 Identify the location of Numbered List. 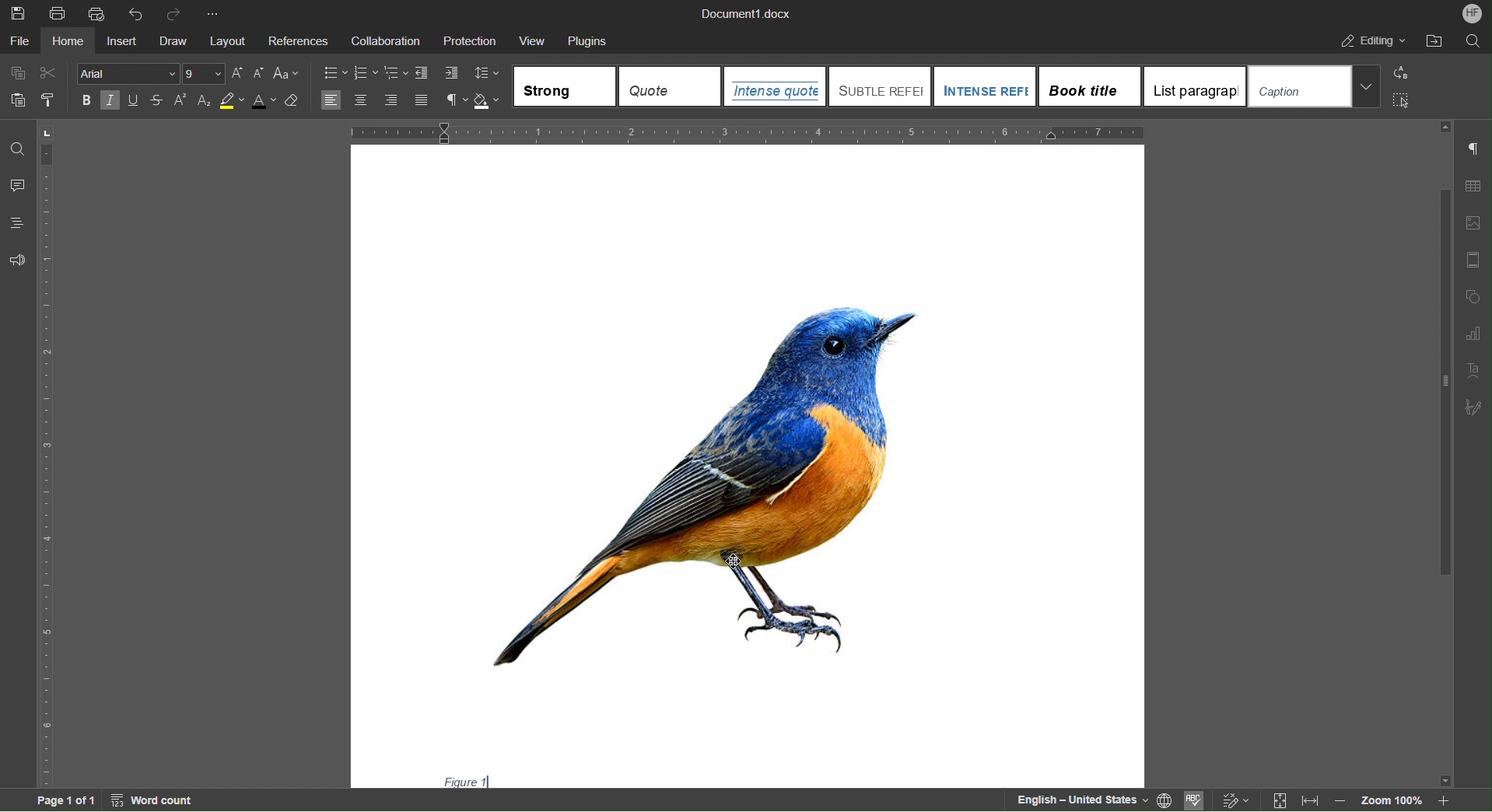
(366, 72).